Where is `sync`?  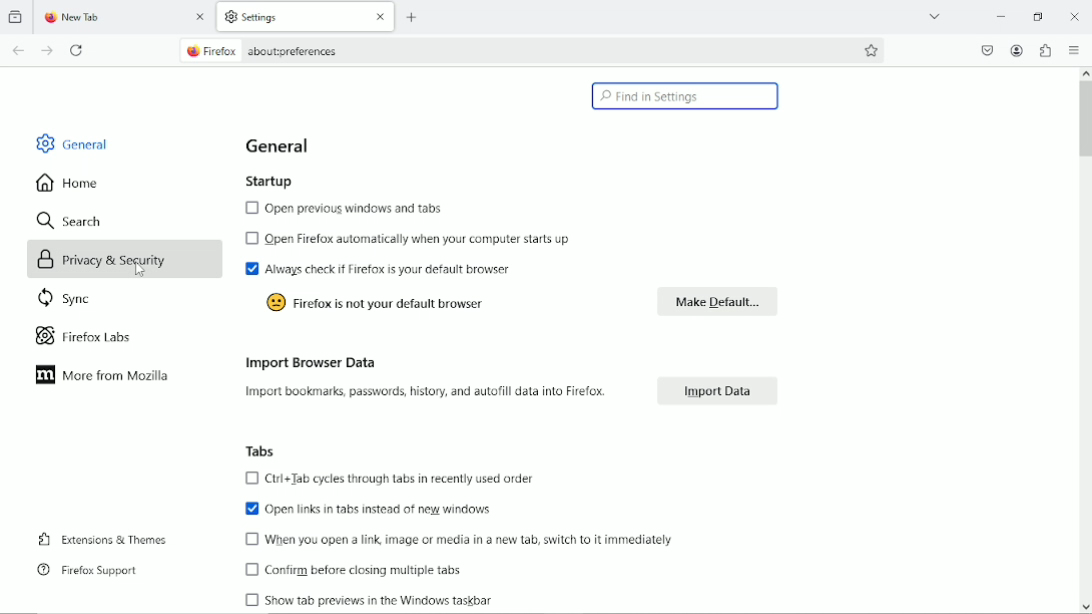 sync is located at coordinates (66, 297).